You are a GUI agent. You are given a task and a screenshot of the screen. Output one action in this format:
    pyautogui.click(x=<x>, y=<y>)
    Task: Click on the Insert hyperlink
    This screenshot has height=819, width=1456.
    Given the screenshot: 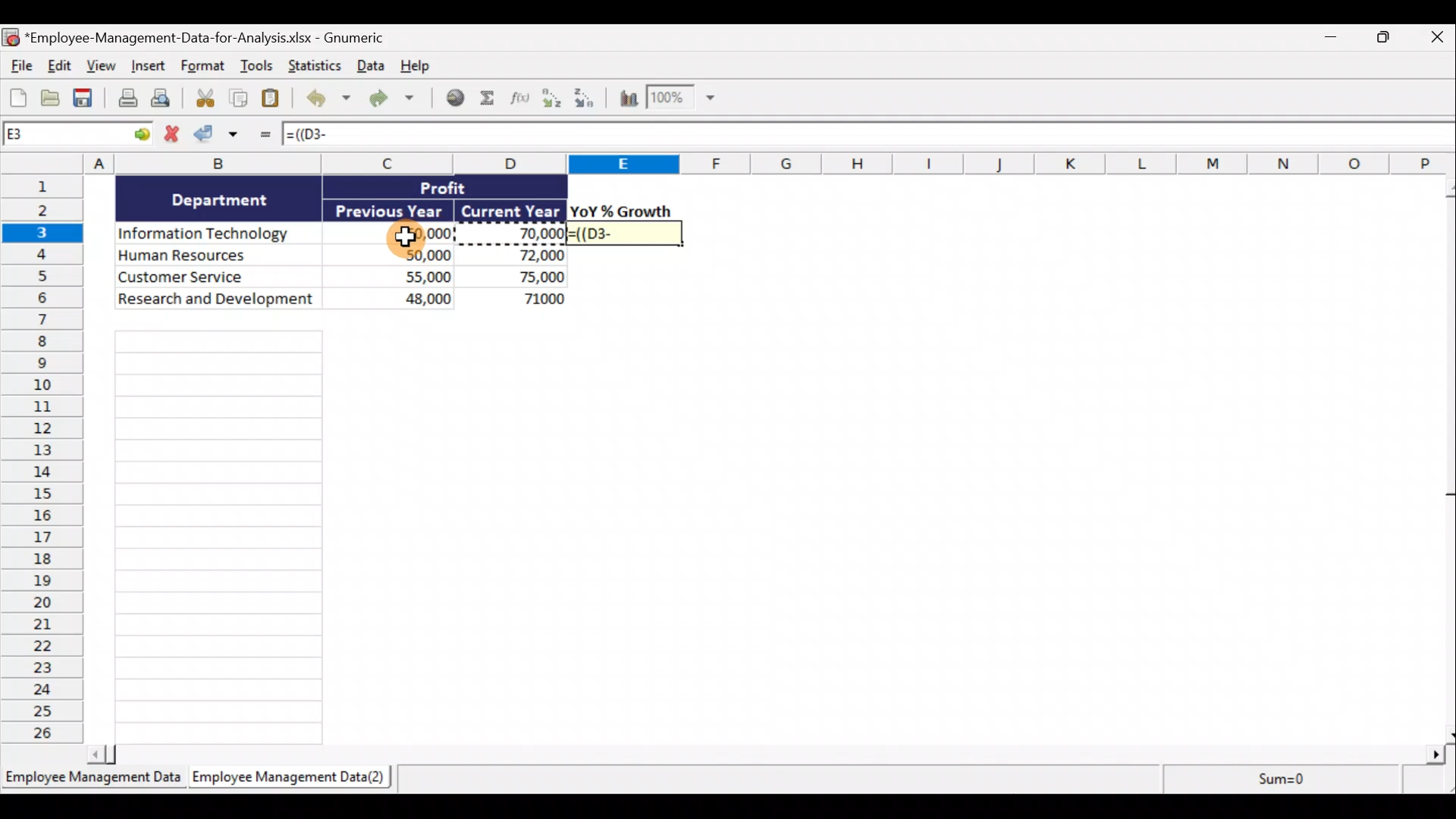 What is the action you would take?
    pyautogui.click(x=454, y=99)
    